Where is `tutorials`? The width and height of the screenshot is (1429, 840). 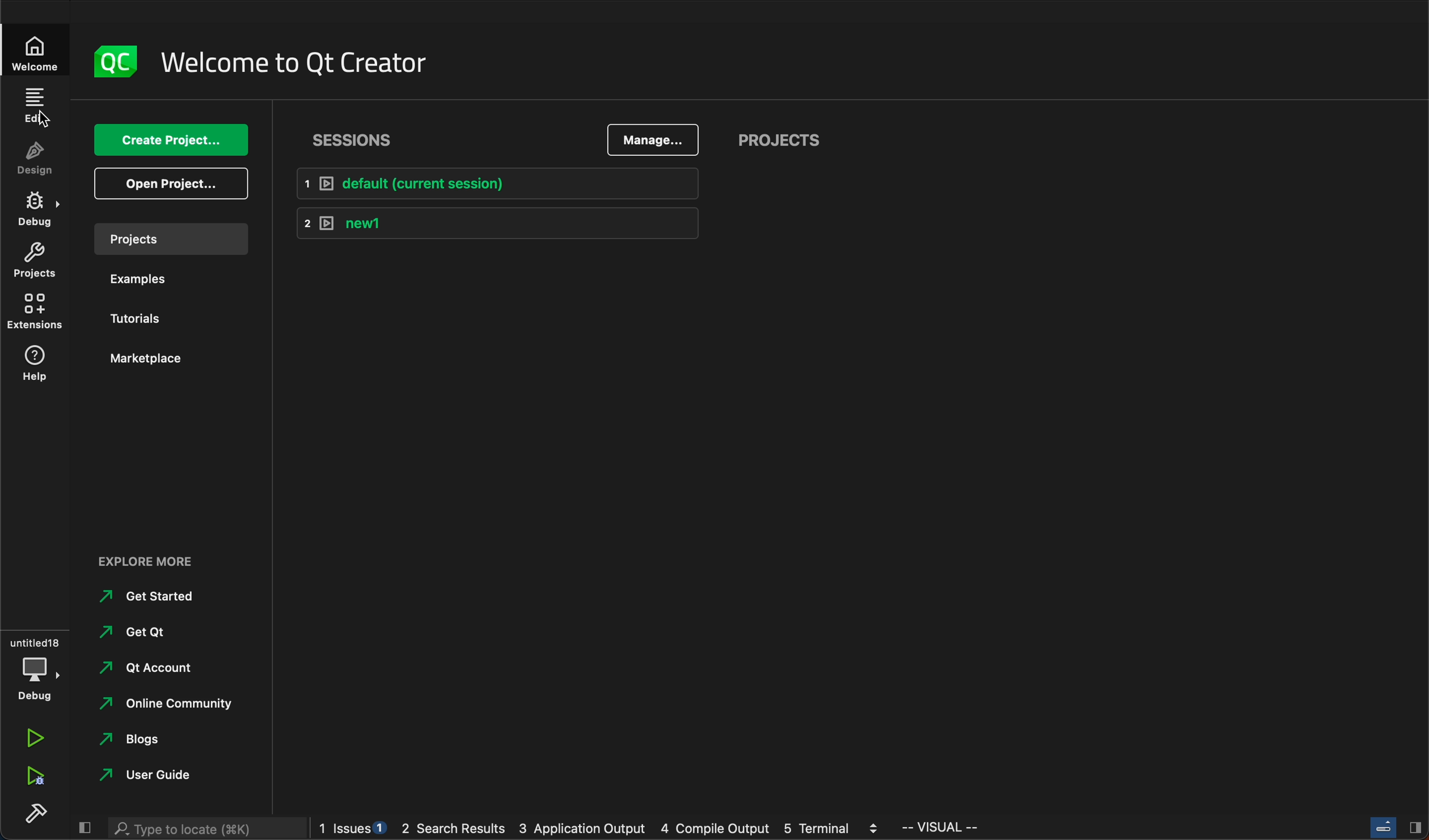
tutorials is located at coordinates (141, 320).